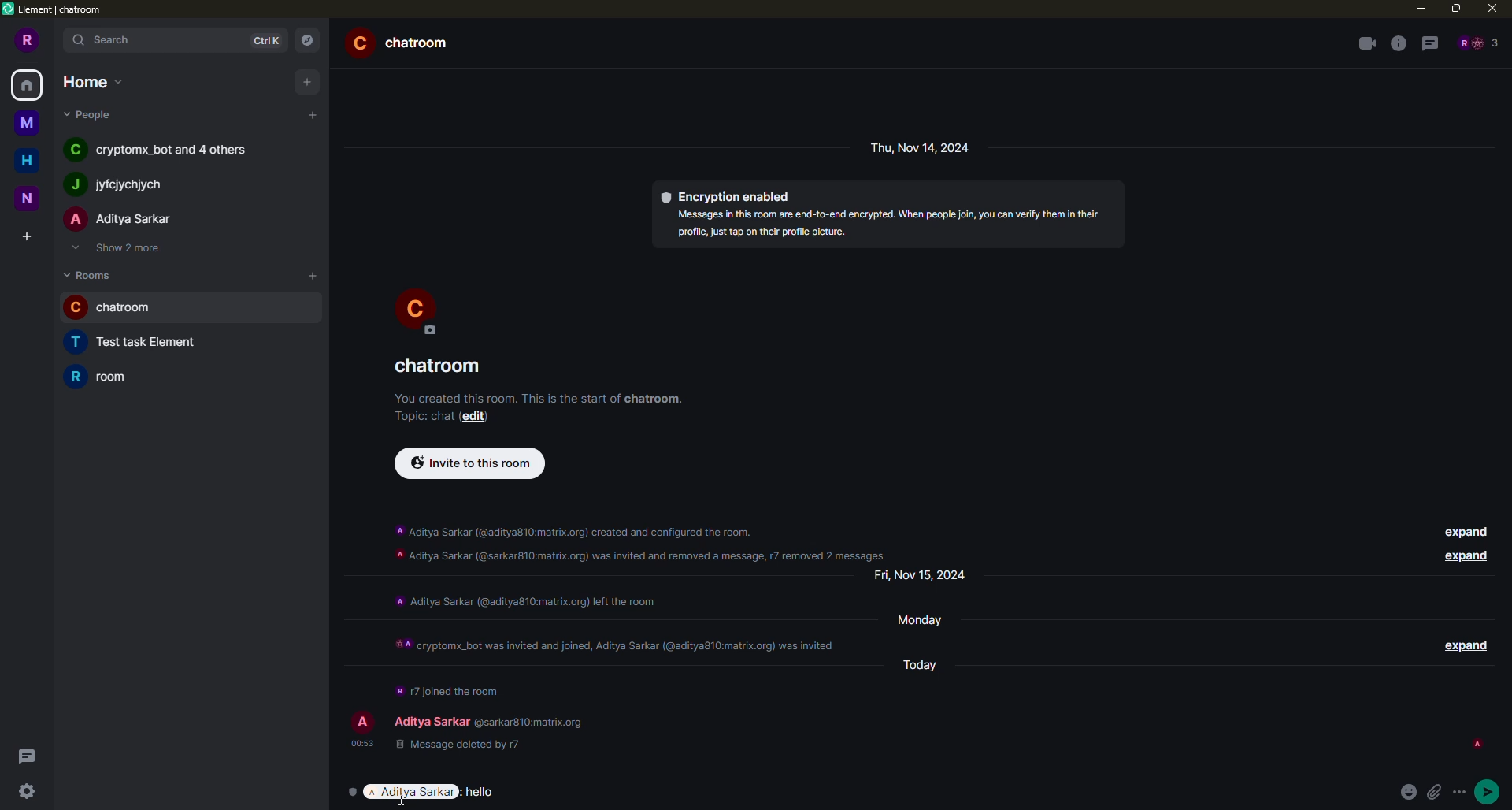 This screenshot has width=1512, height=810. I want to click on day, so click(928, 619).